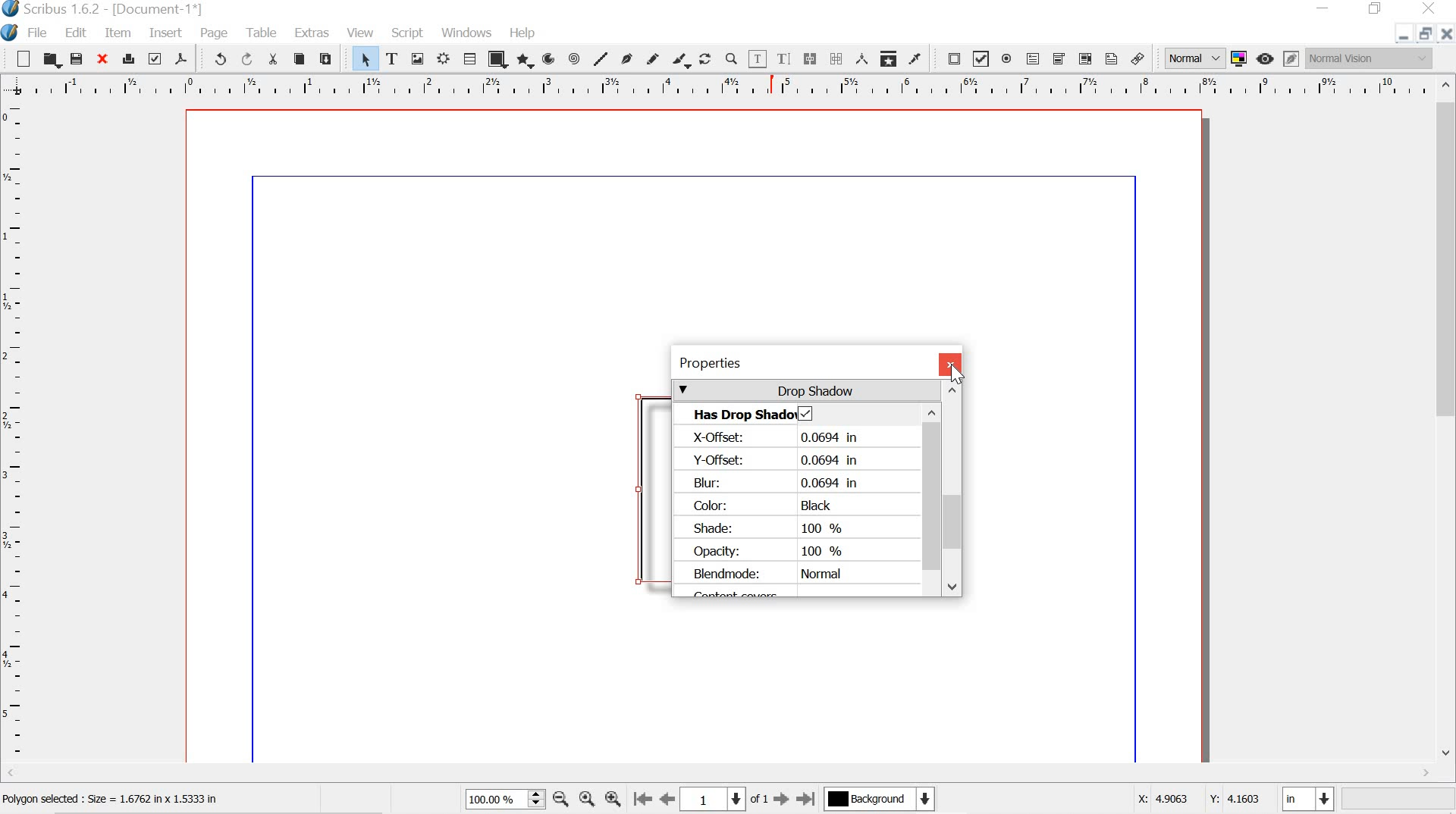 The width and height of the screenshot is (1456, 814). What do you see at coordinates (887, 800) in the screenshot?
I see `background` at bounding box center [887, 800].